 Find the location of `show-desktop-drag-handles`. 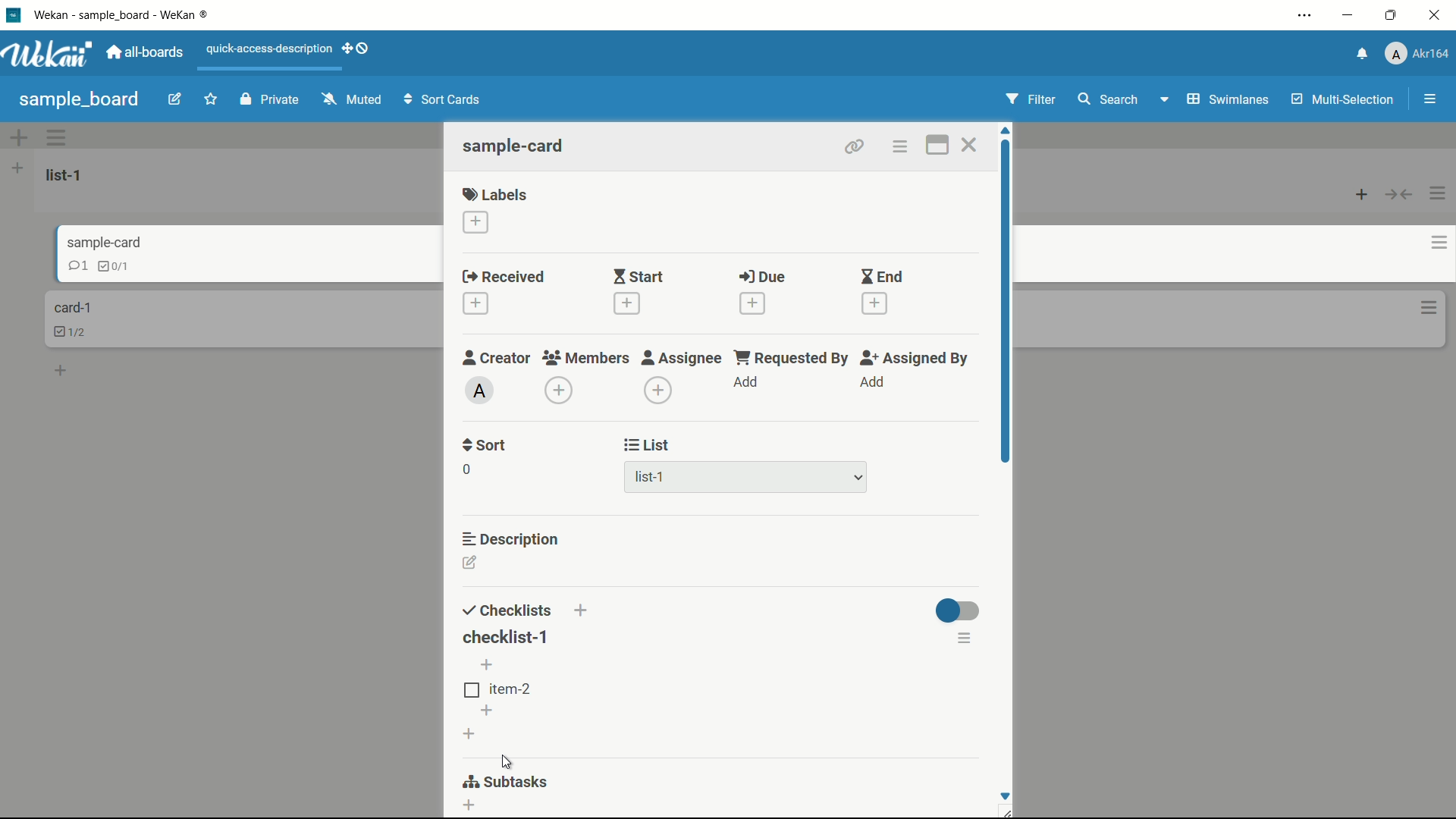

show-desktop-drag-handles is located at coordinates (356, 49).